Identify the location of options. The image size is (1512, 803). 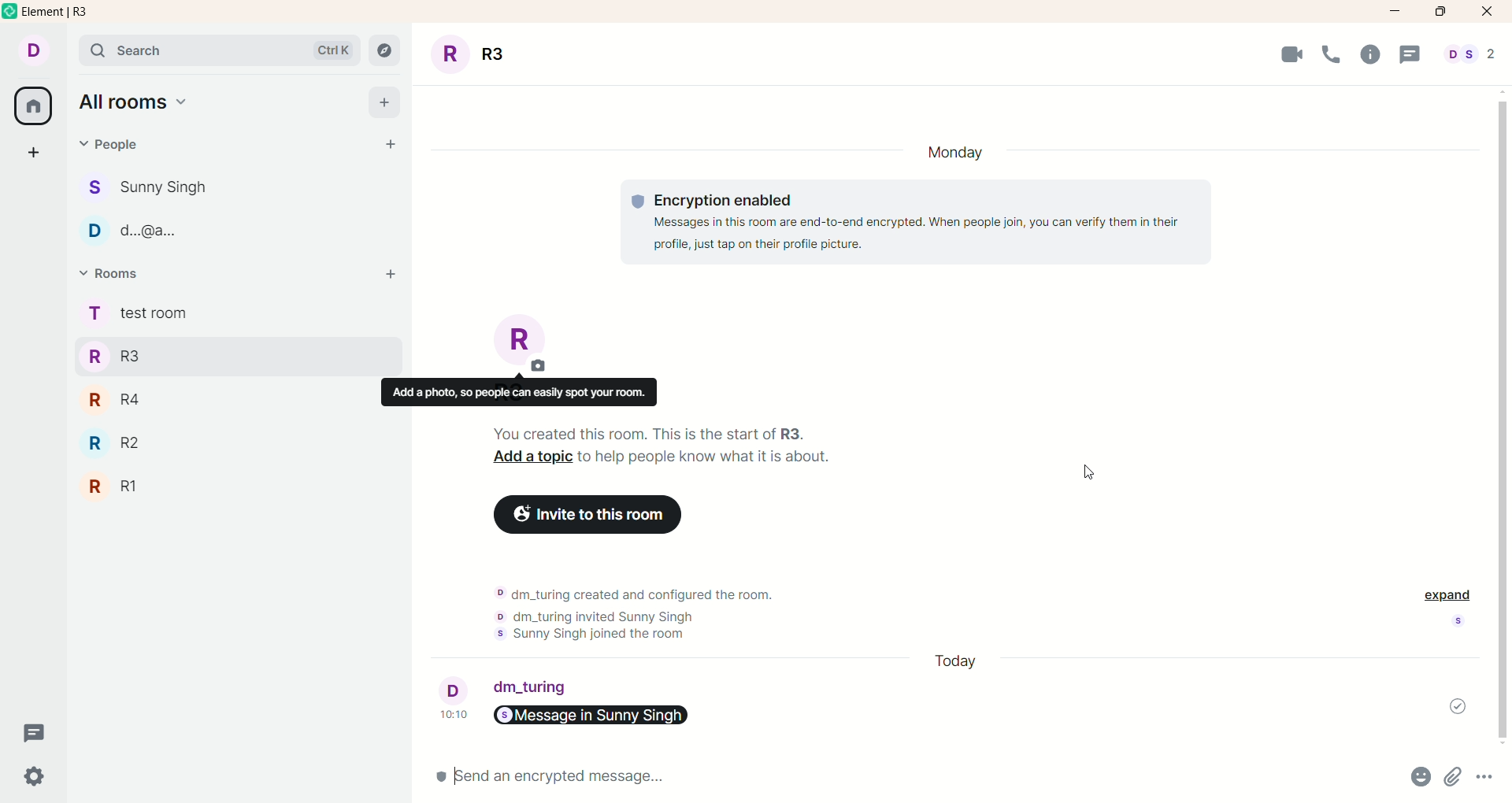
(1487, 777).